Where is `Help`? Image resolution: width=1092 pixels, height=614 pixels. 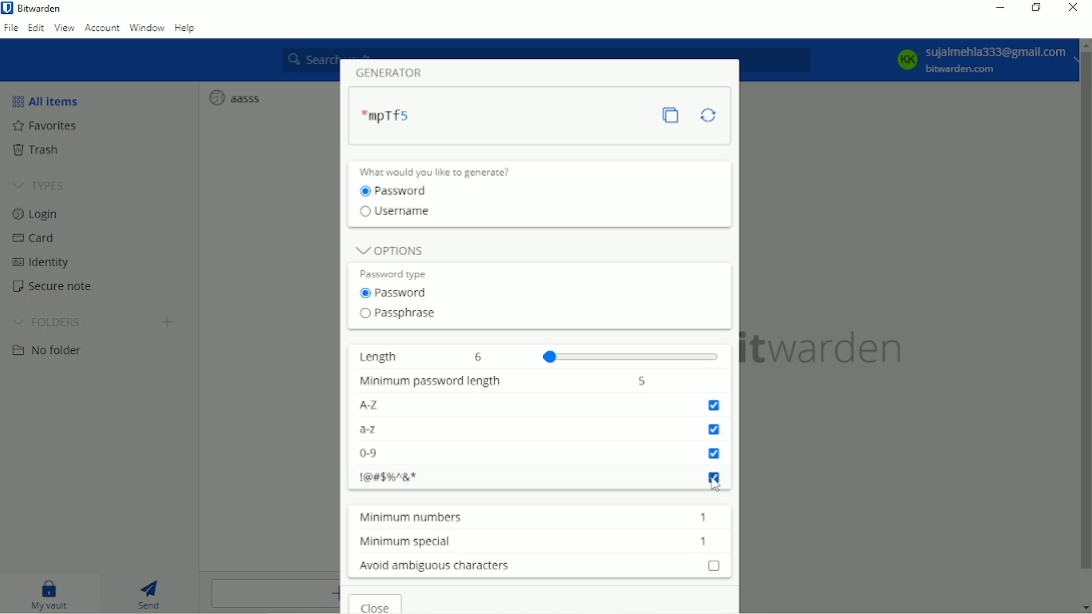
Help is located at coordinates (187, 29).